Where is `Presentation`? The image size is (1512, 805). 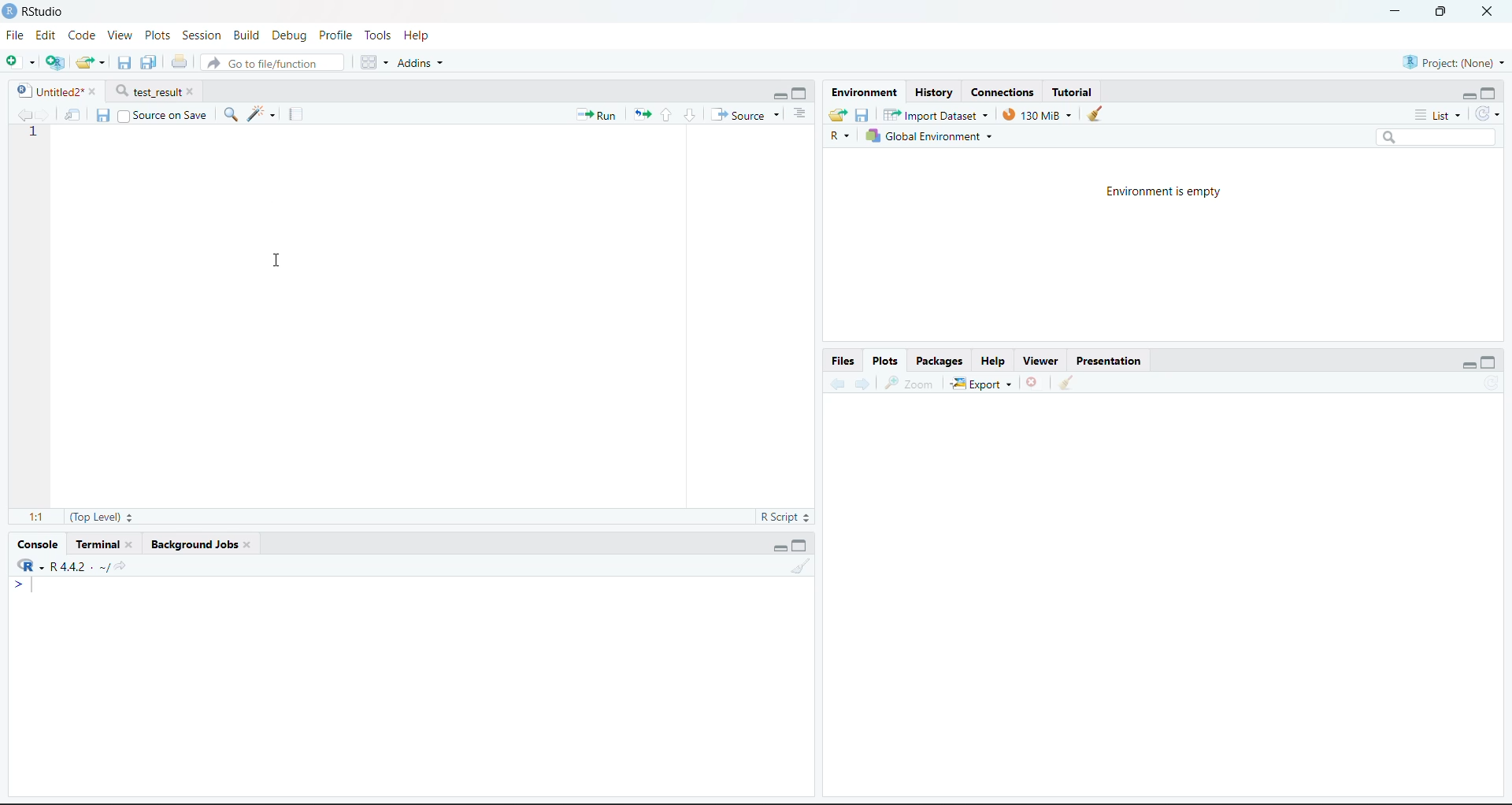 Presentation is located at coordinates (1109, 358).